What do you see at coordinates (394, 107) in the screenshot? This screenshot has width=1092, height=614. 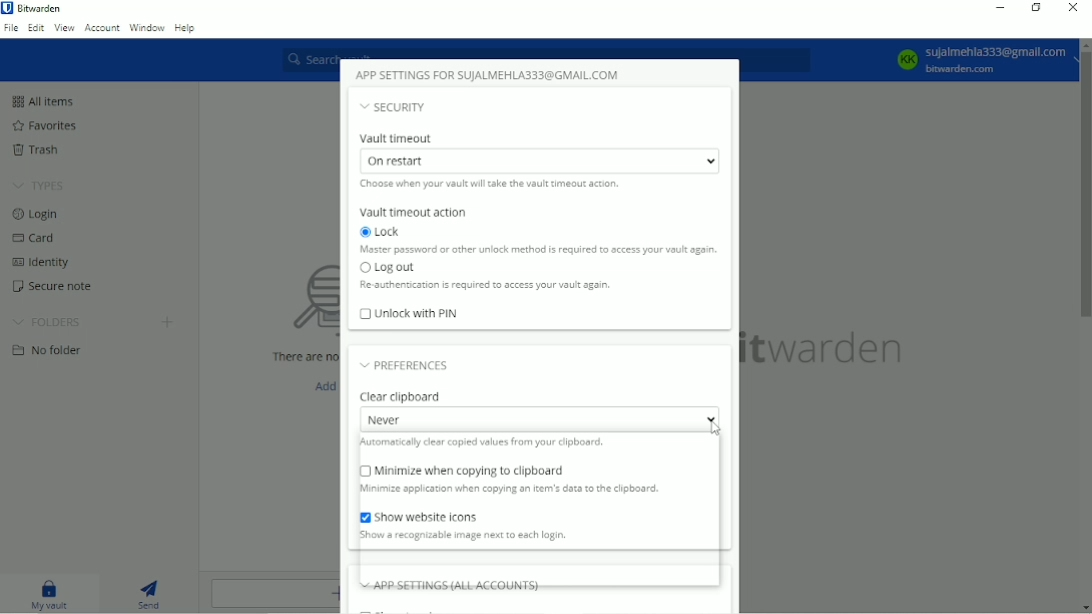 I see `Security` at bounding box center [394, 107].